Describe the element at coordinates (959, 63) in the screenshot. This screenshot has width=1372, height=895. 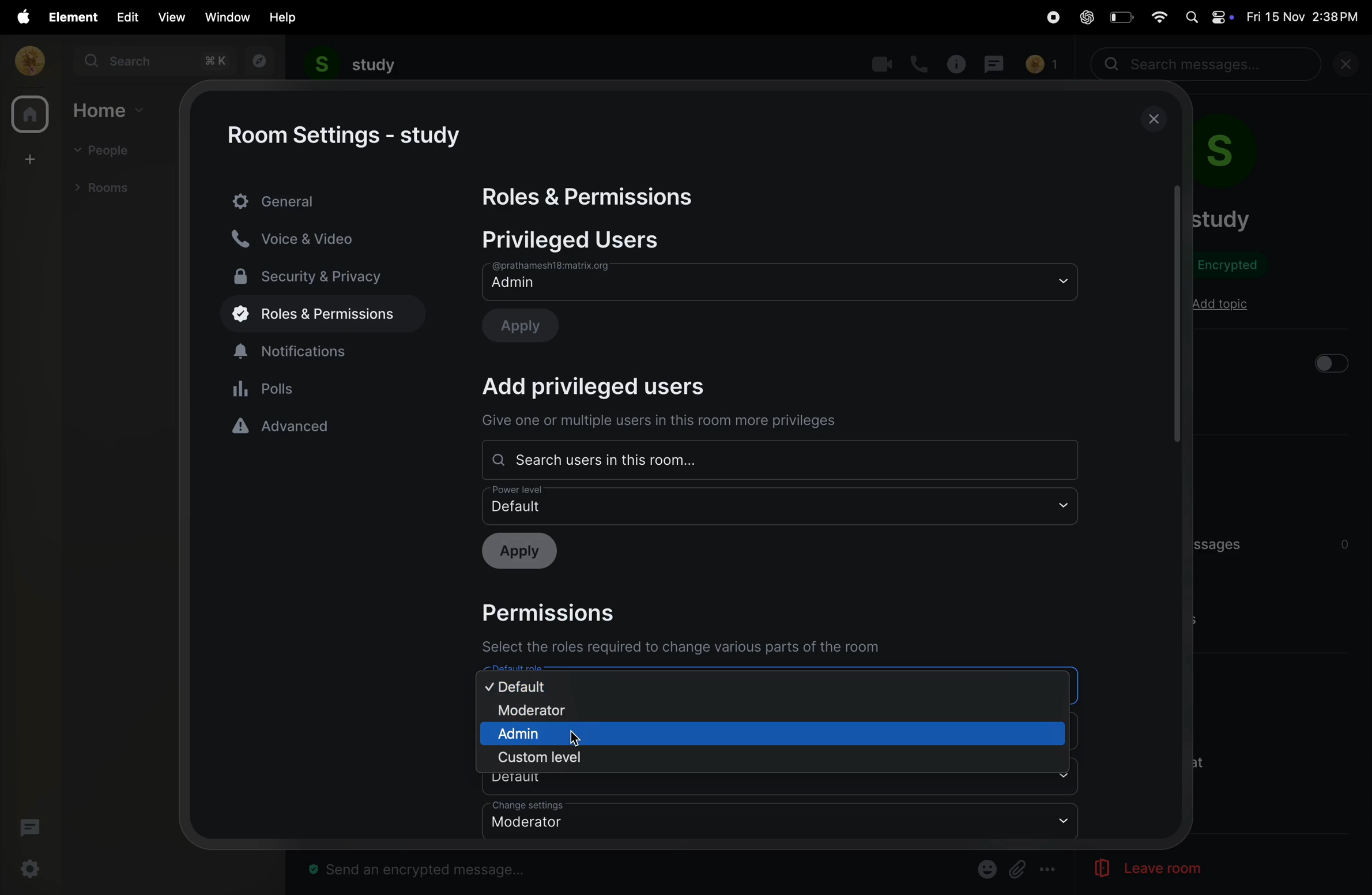
I see `info` at that location.